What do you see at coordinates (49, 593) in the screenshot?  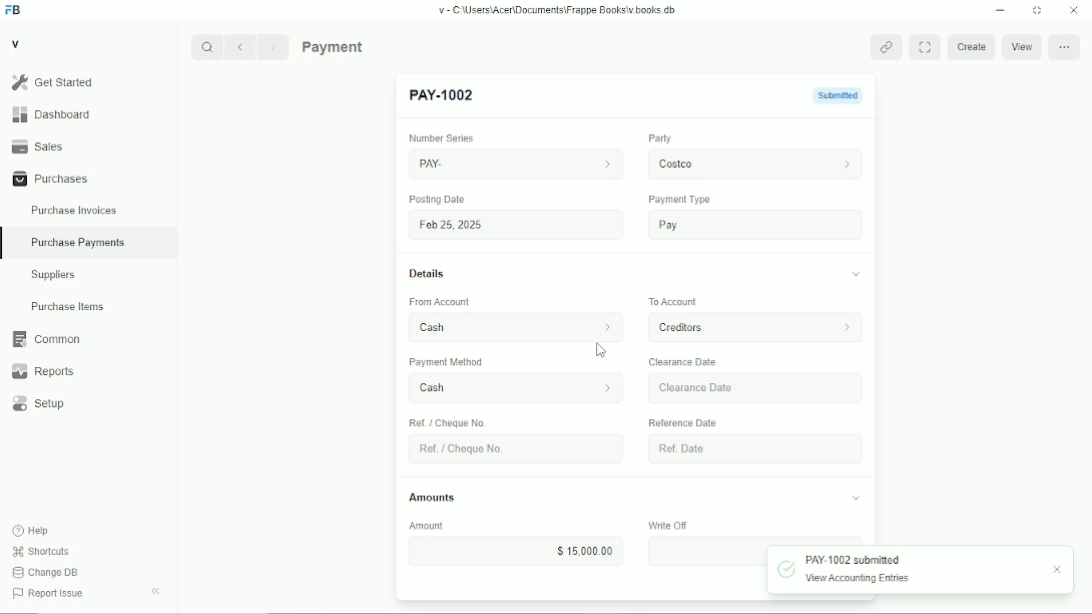 I see `Report Issue` at bounding box center [49, 593].